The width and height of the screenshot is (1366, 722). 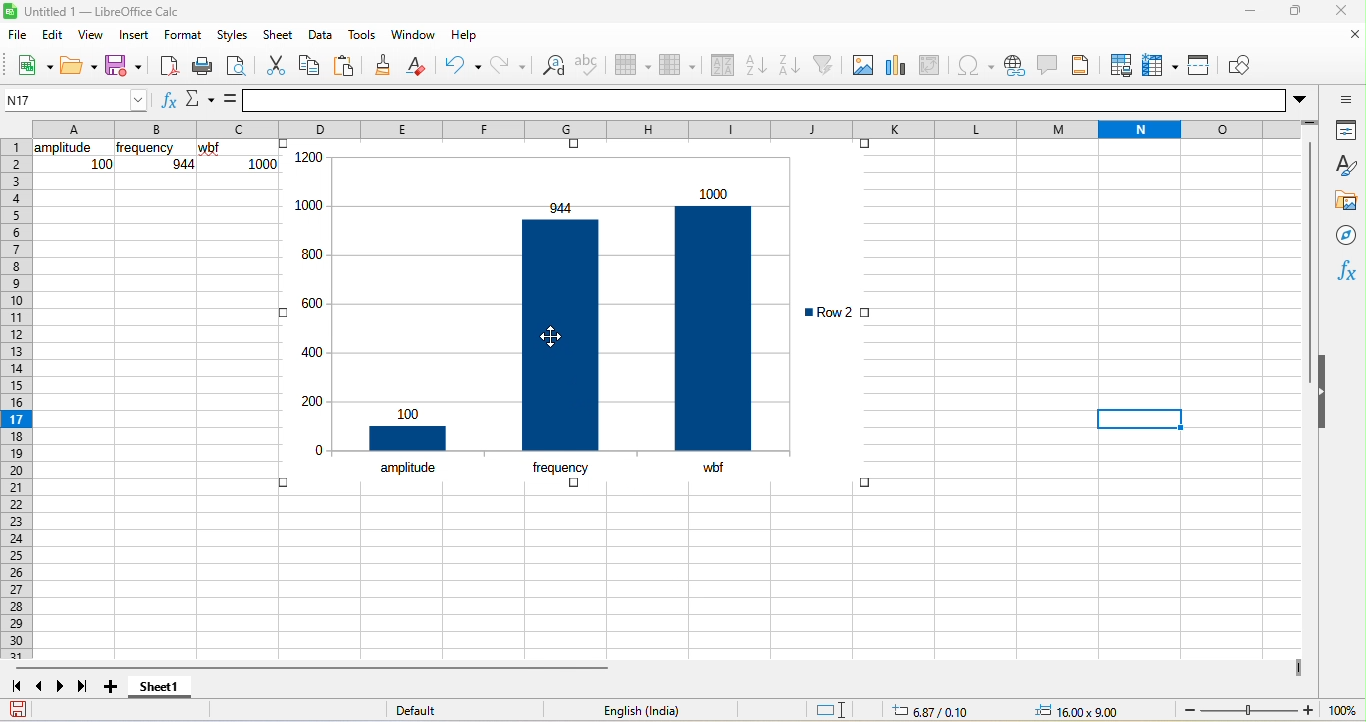 What do you see at coordinates (208, 68) in the screenshot?
I see `print` at bounding box center [208, 68].